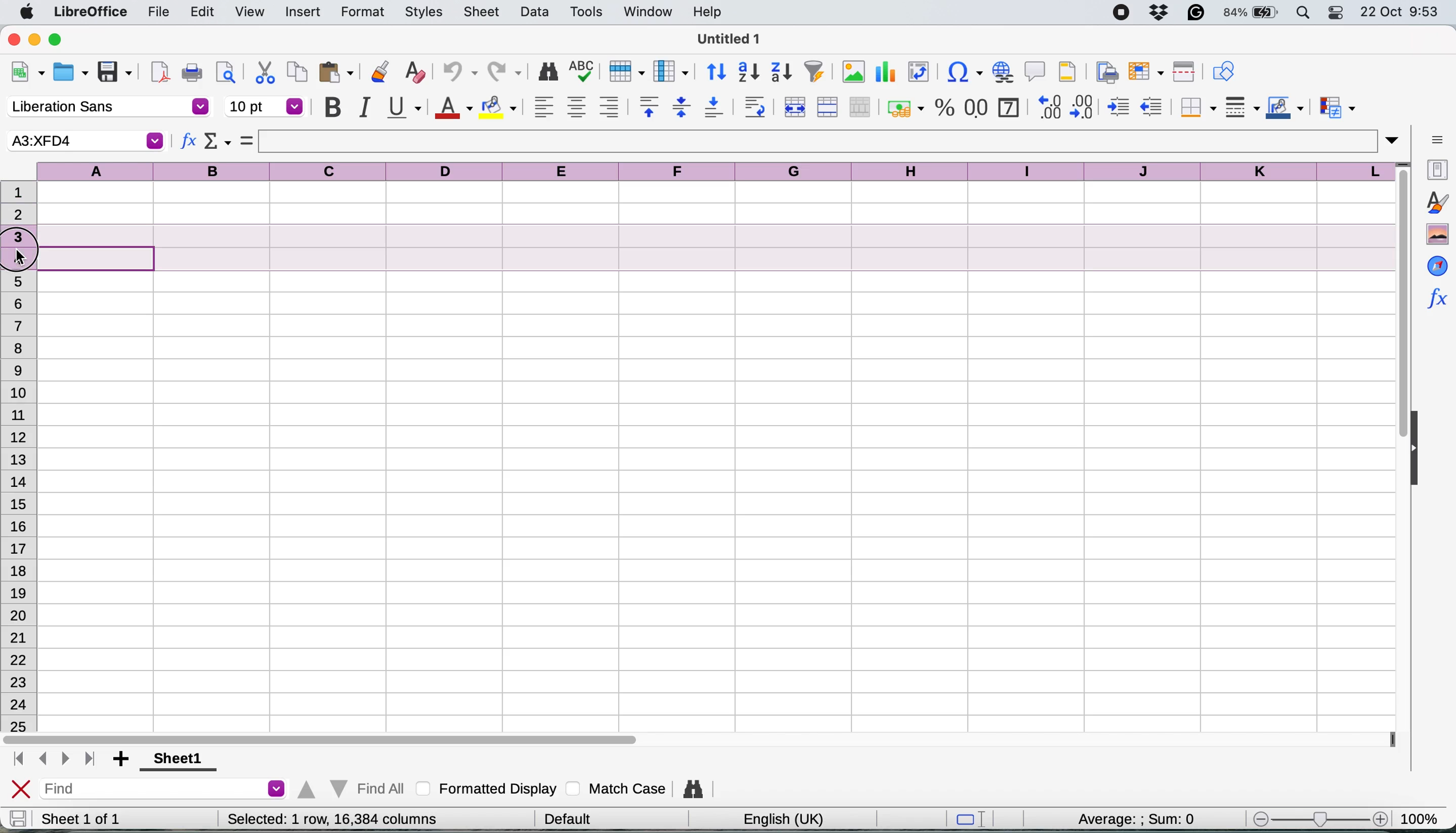  What do you see at coordinates (452, 108) in the screenshot?
I see `text color` at bounding box center [452, 108].